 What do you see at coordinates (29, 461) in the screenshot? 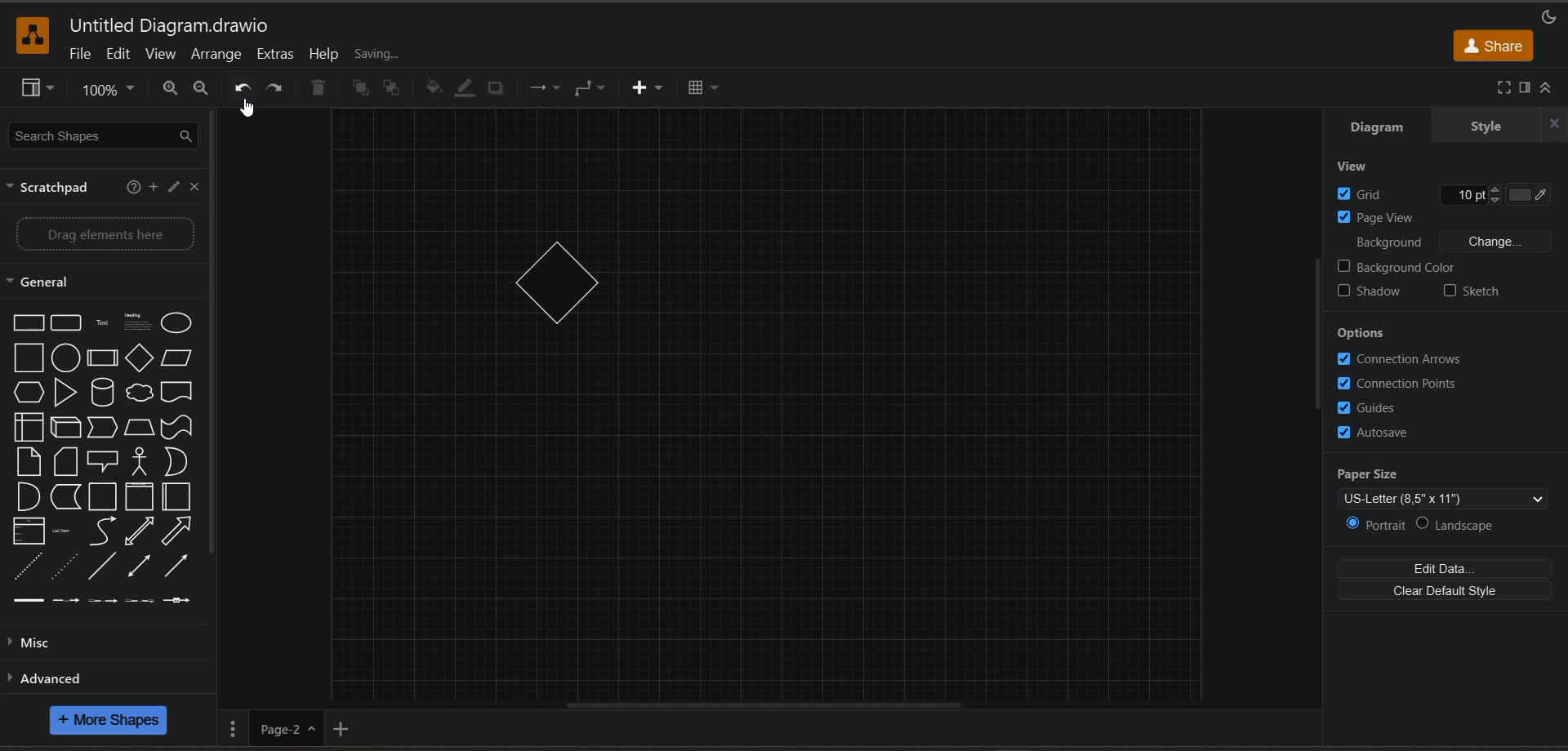
I see `Note` at bounding box center [29, 461].